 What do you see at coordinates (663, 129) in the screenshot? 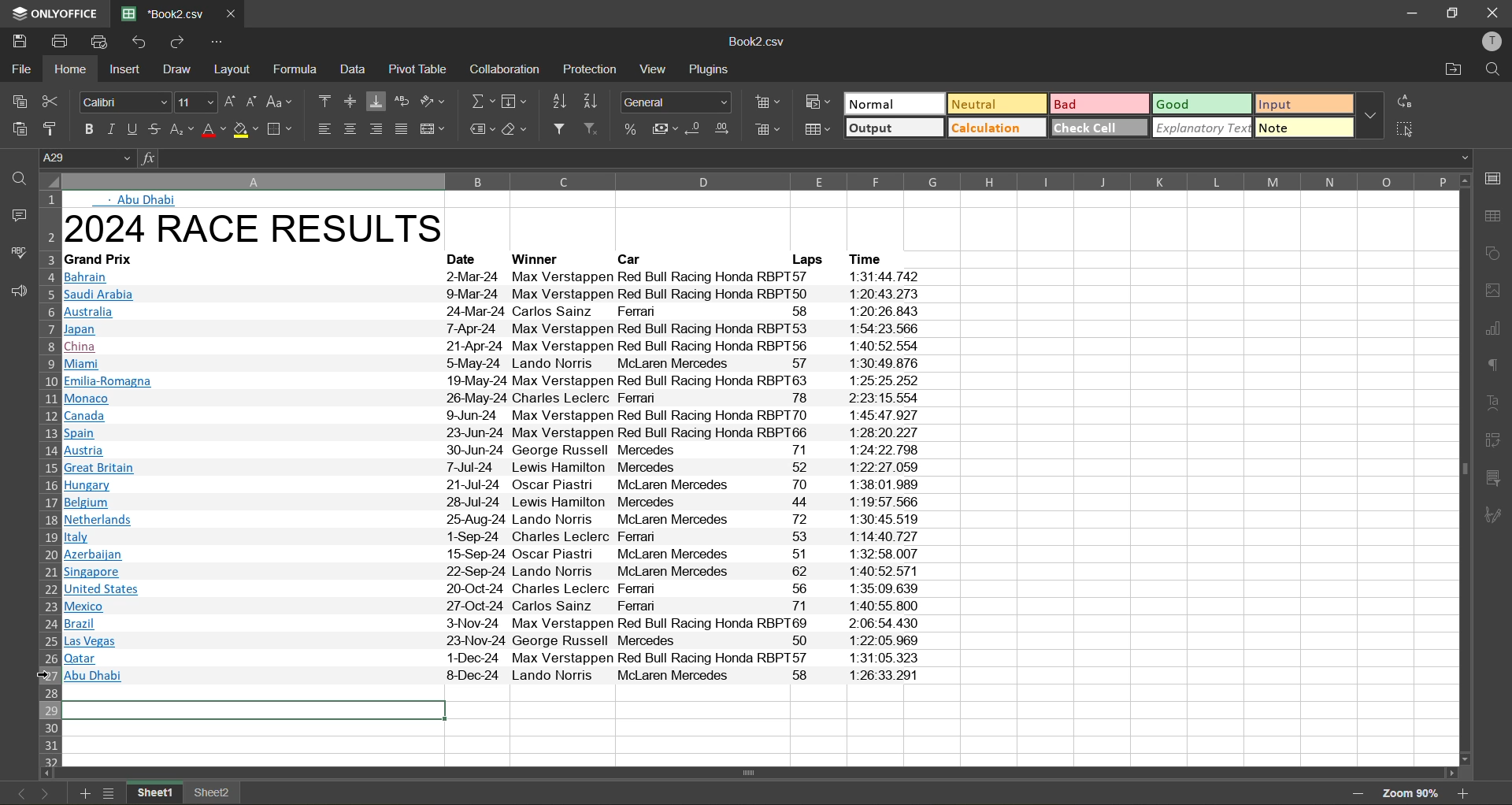
I see `accounting` at bounding box center [663, 129].